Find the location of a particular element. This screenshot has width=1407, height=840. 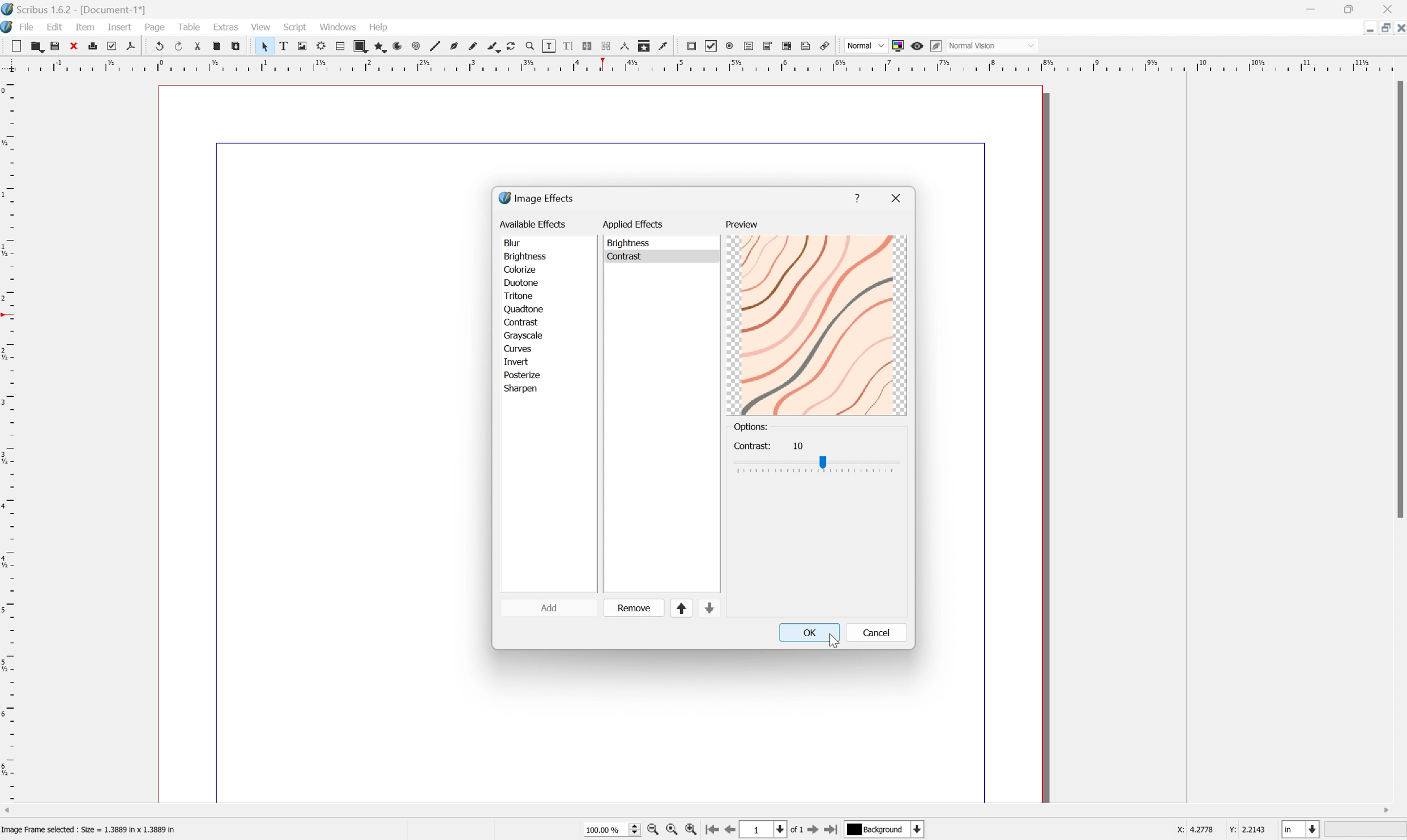

Shape is located at coordinates (362, 45).